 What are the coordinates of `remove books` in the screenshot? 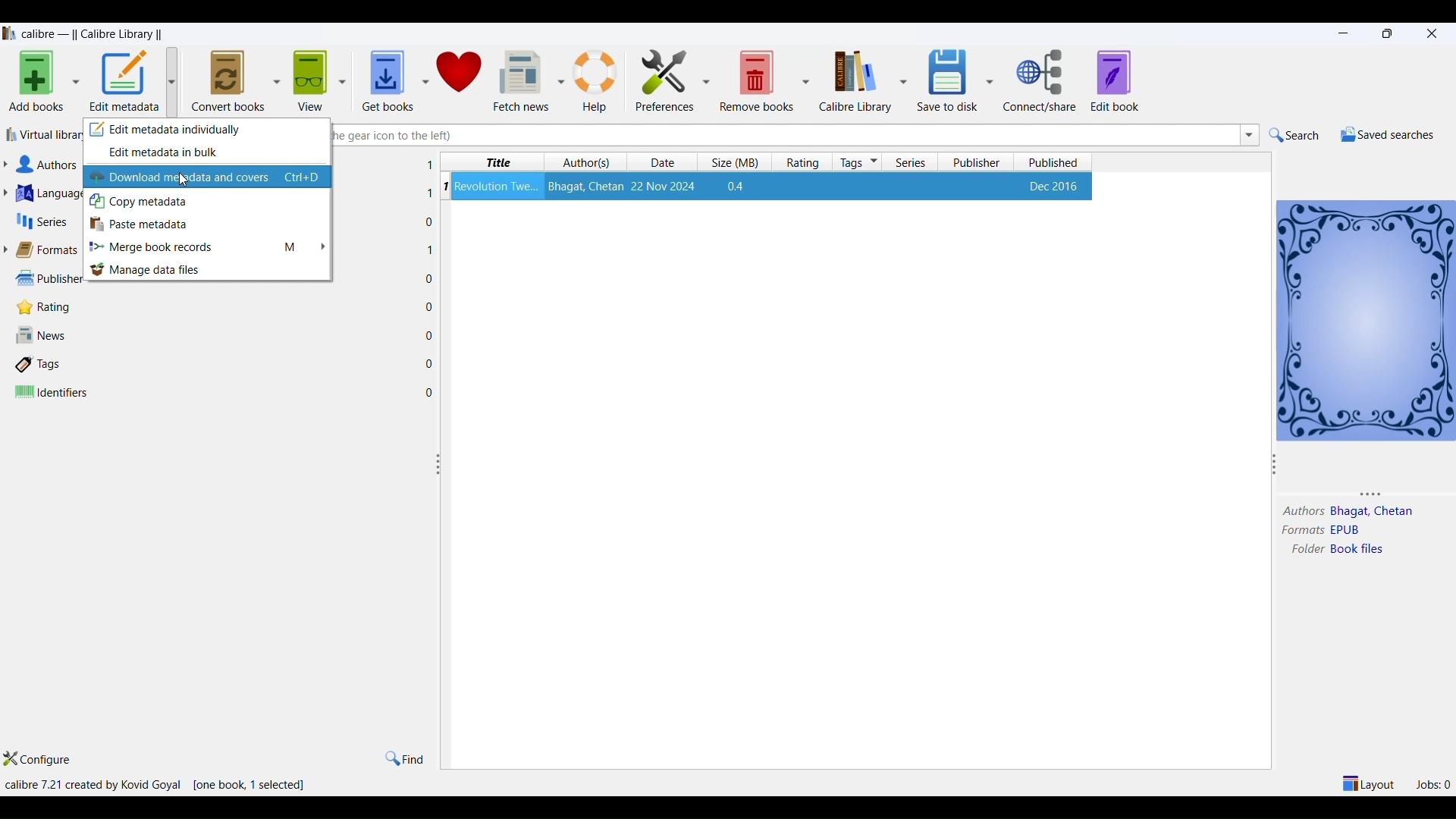 It's located at (757, 79).